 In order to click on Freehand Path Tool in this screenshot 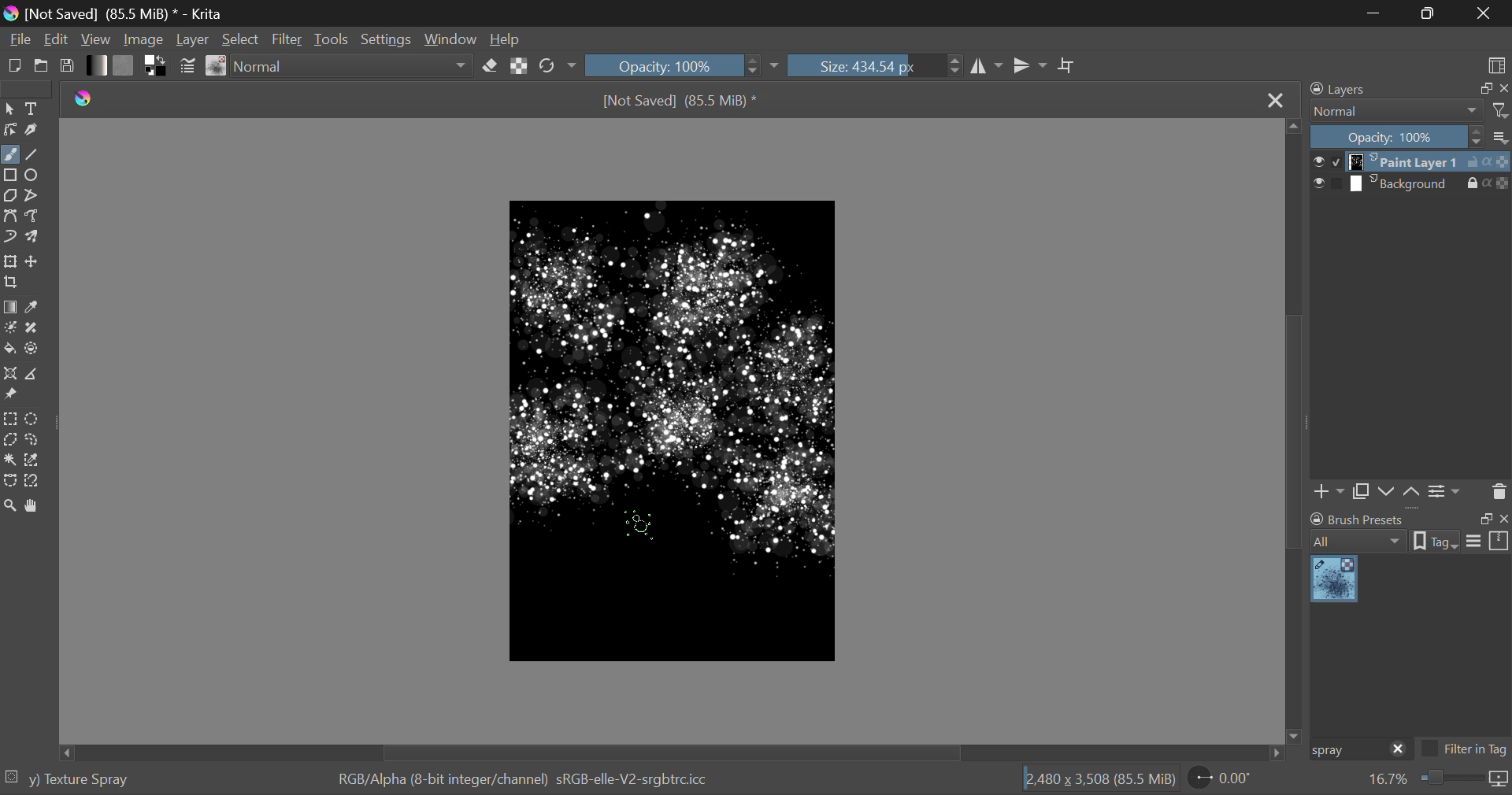, I will do `click(33, 216)`.